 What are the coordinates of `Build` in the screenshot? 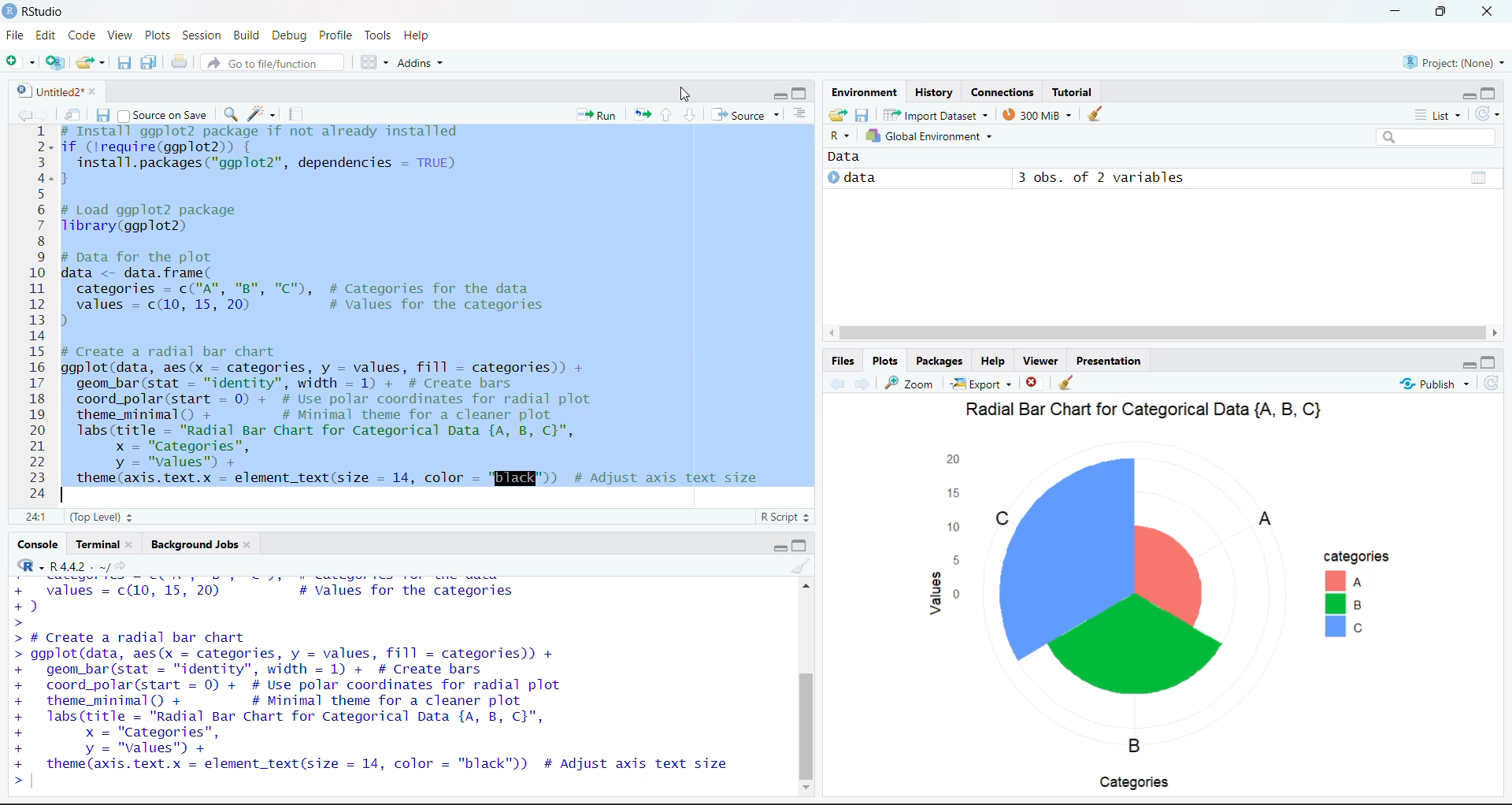 It's located at (246, 35).